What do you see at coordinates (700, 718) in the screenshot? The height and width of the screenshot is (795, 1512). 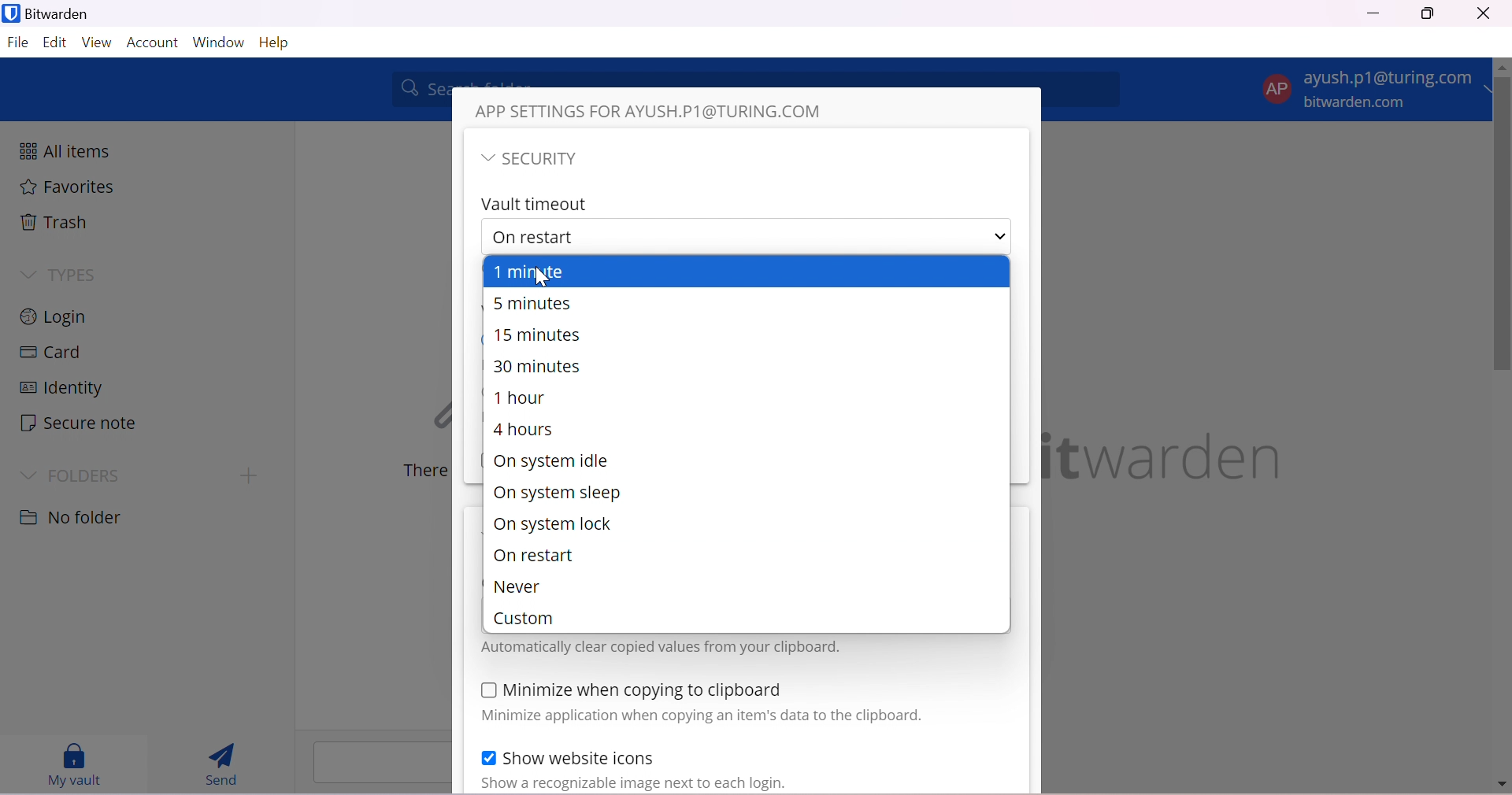 I see `Minimize application when copying data to clipboard.` at bounding box center [700, 718].